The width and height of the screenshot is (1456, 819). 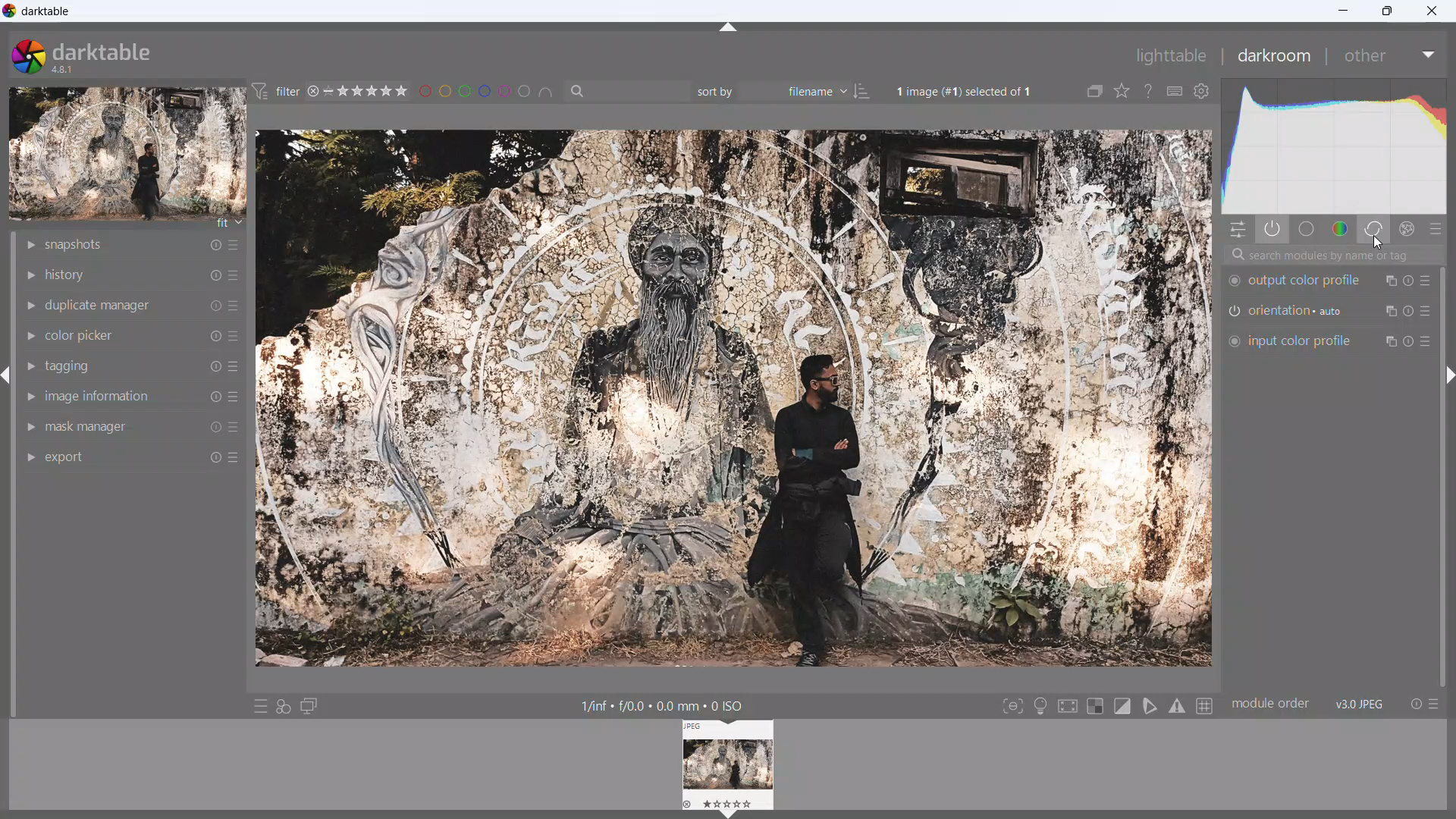 I want to click on reset, so click(x=1410, y=312).